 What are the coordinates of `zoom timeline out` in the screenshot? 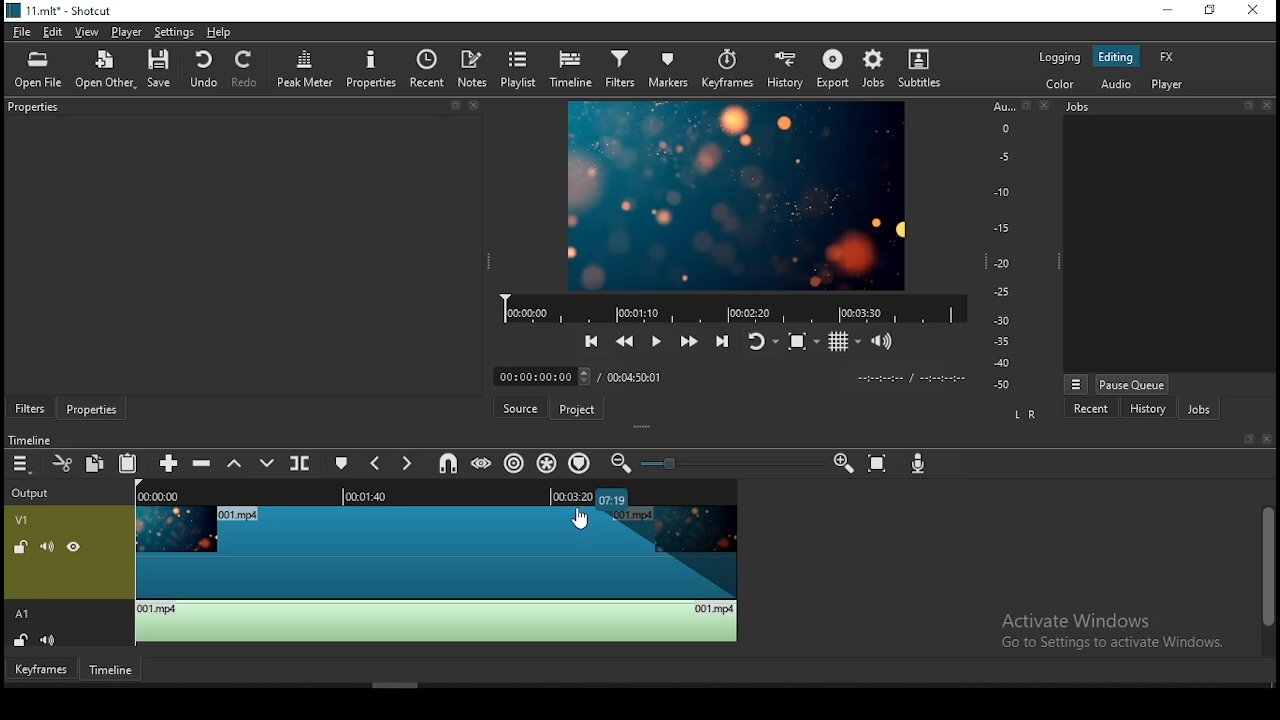 It's located at (622, 463).